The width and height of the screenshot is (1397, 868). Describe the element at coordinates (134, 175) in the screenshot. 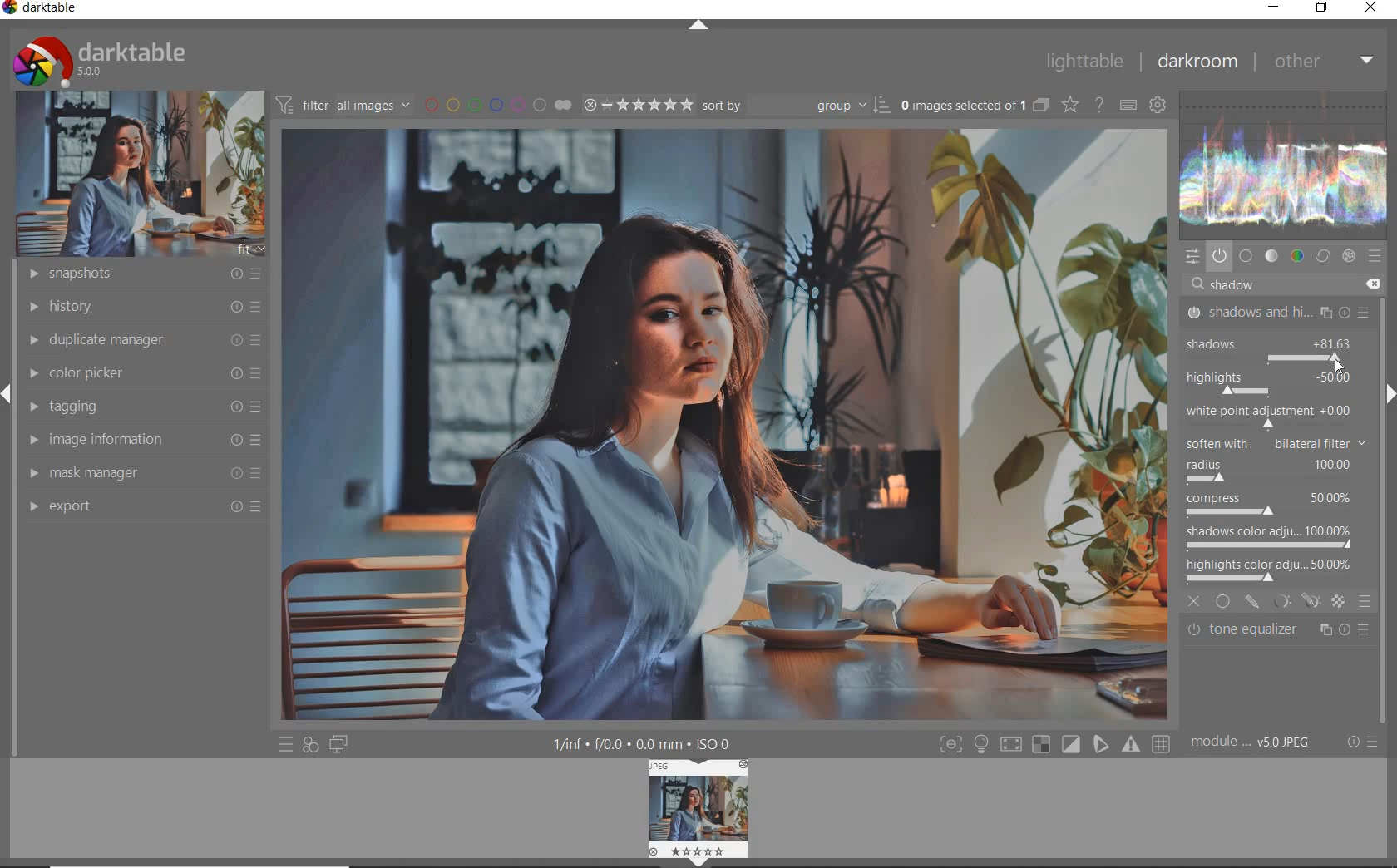

I see `image` at that location.